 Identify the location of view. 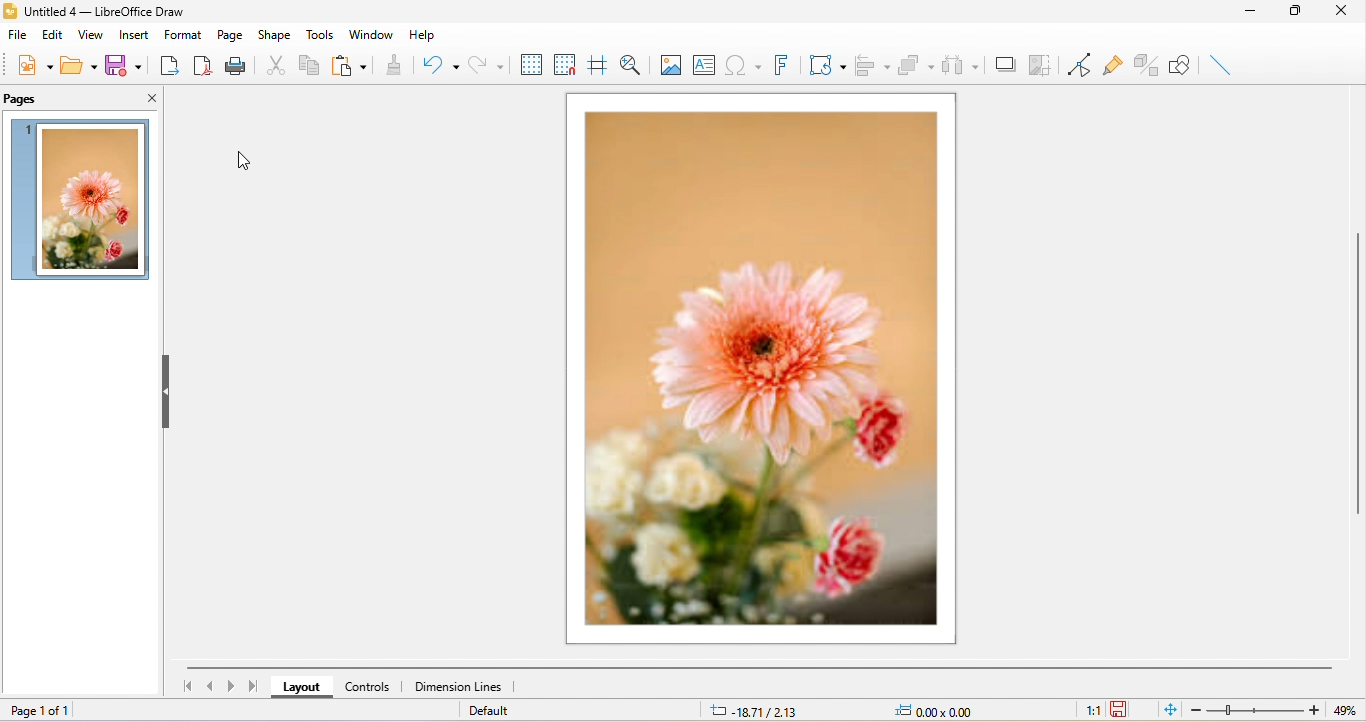
(94, 36).